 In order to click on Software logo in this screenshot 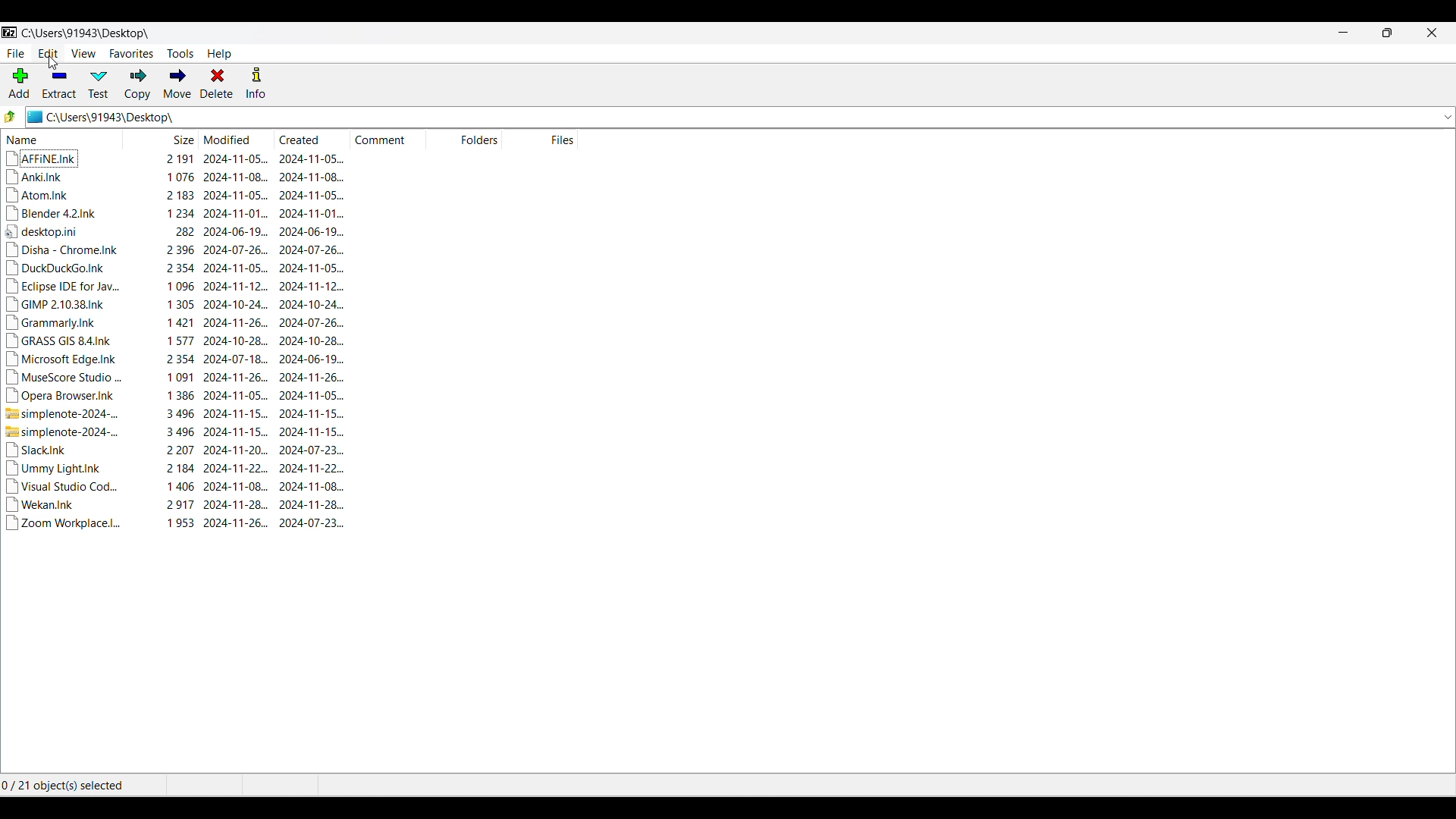, I will do `click(9, 32)`.